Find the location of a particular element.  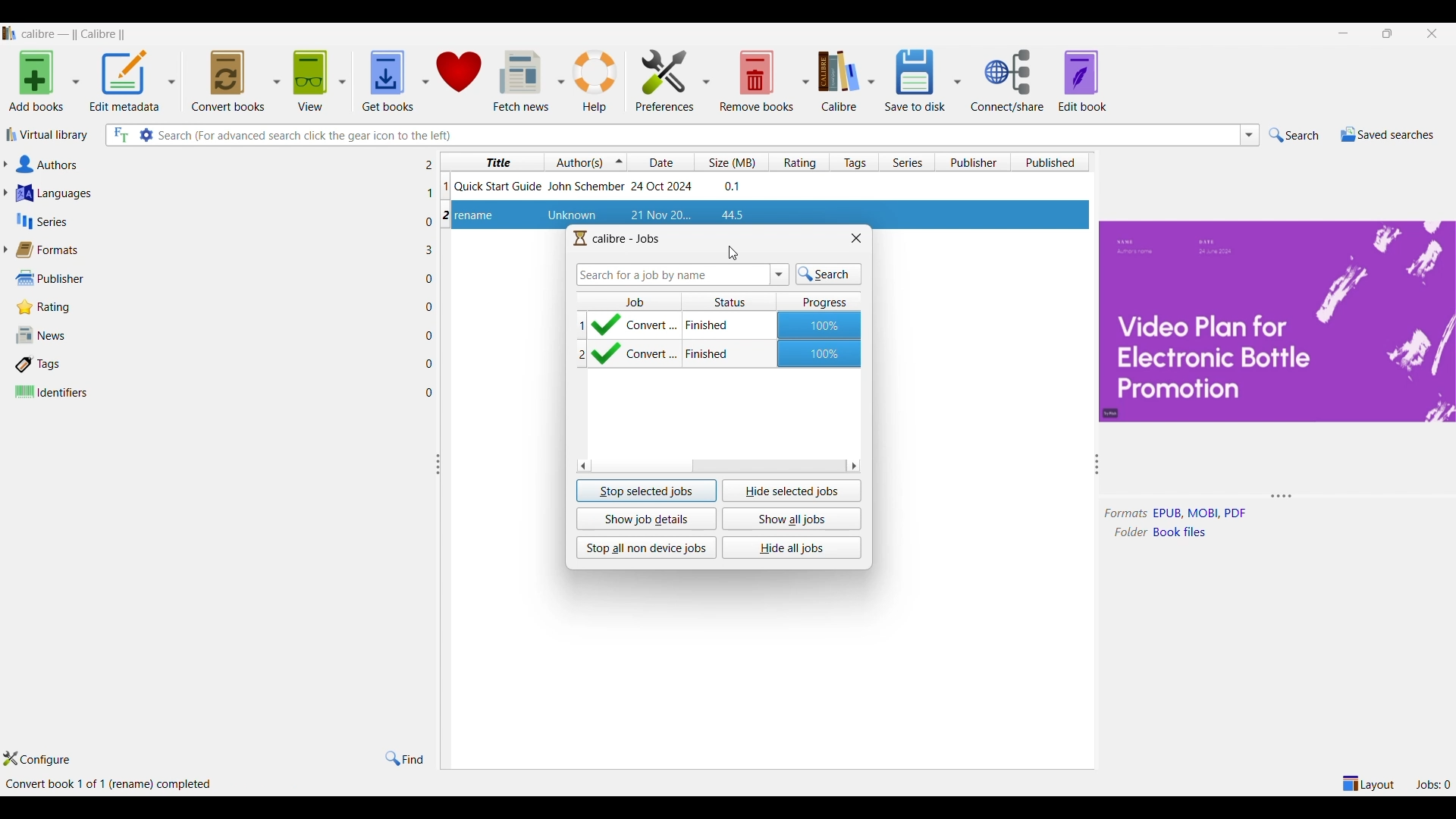

formats is located at coordinates (1126, 514).